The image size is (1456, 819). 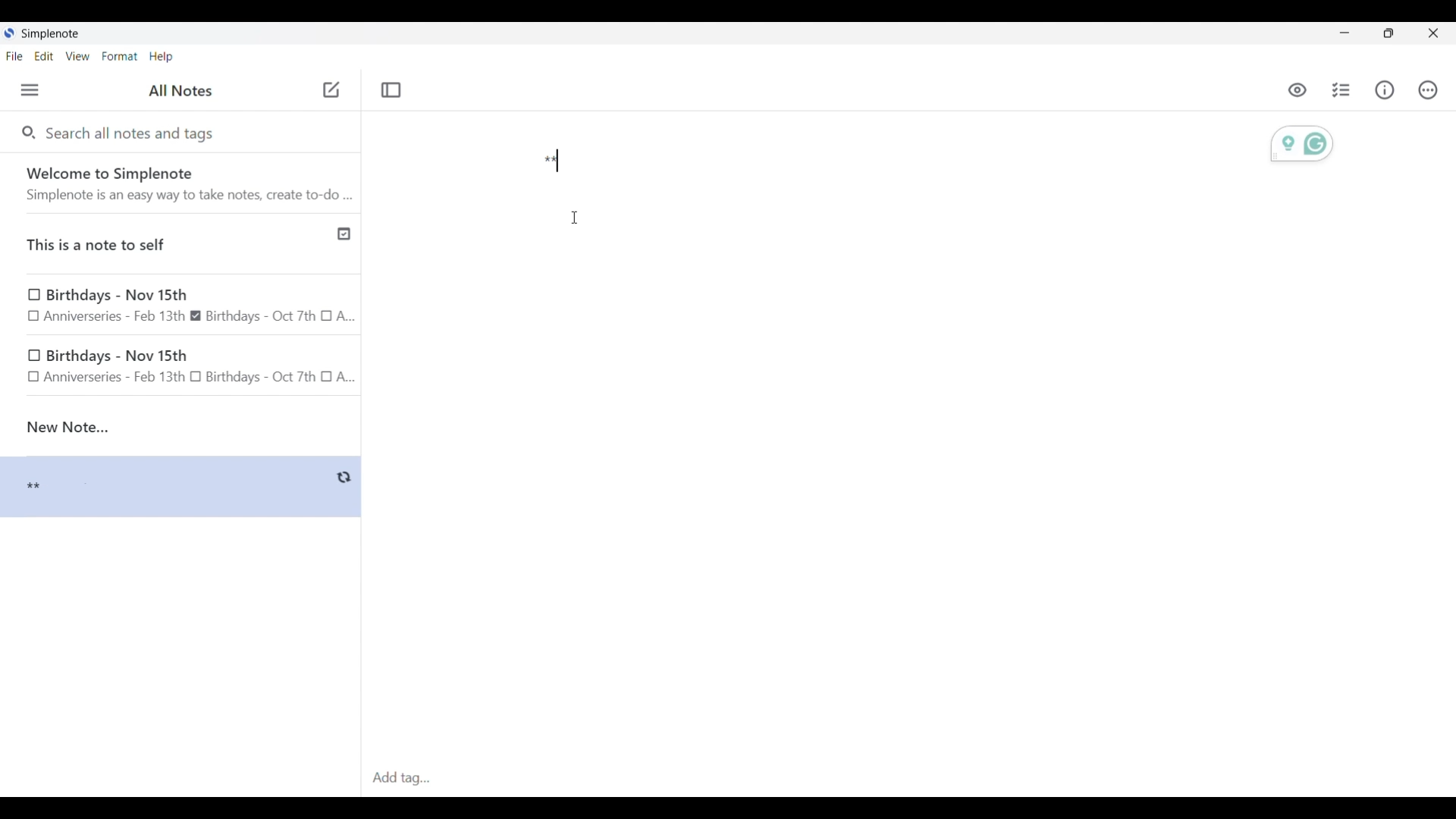 What do you see at coordinates (551, 159) in the screenshot?
I see `Text typed in` at bounding box center [551, 159].